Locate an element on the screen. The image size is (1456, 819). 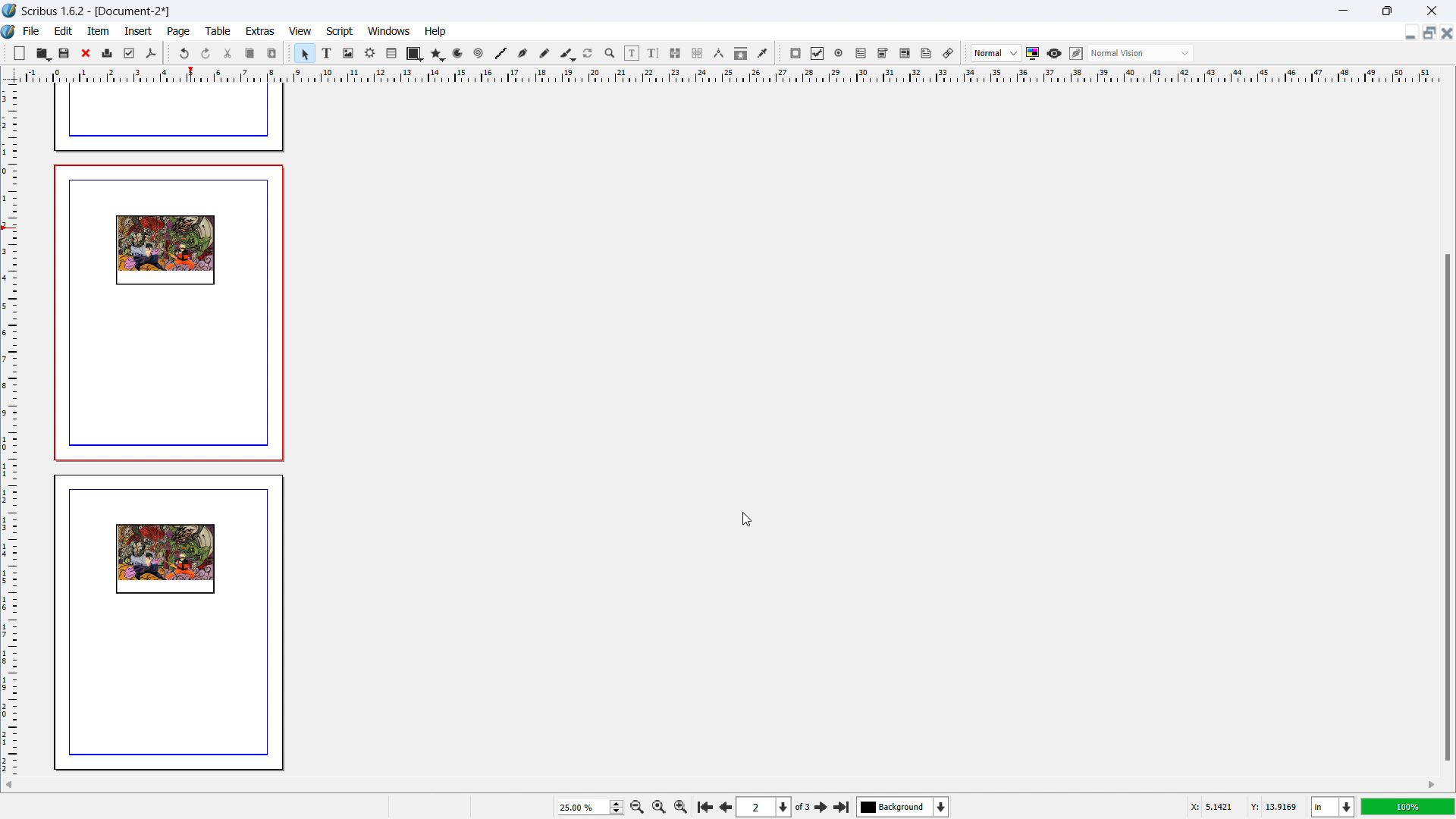
vertical scroll bar is located at coordinates (1445, 339).